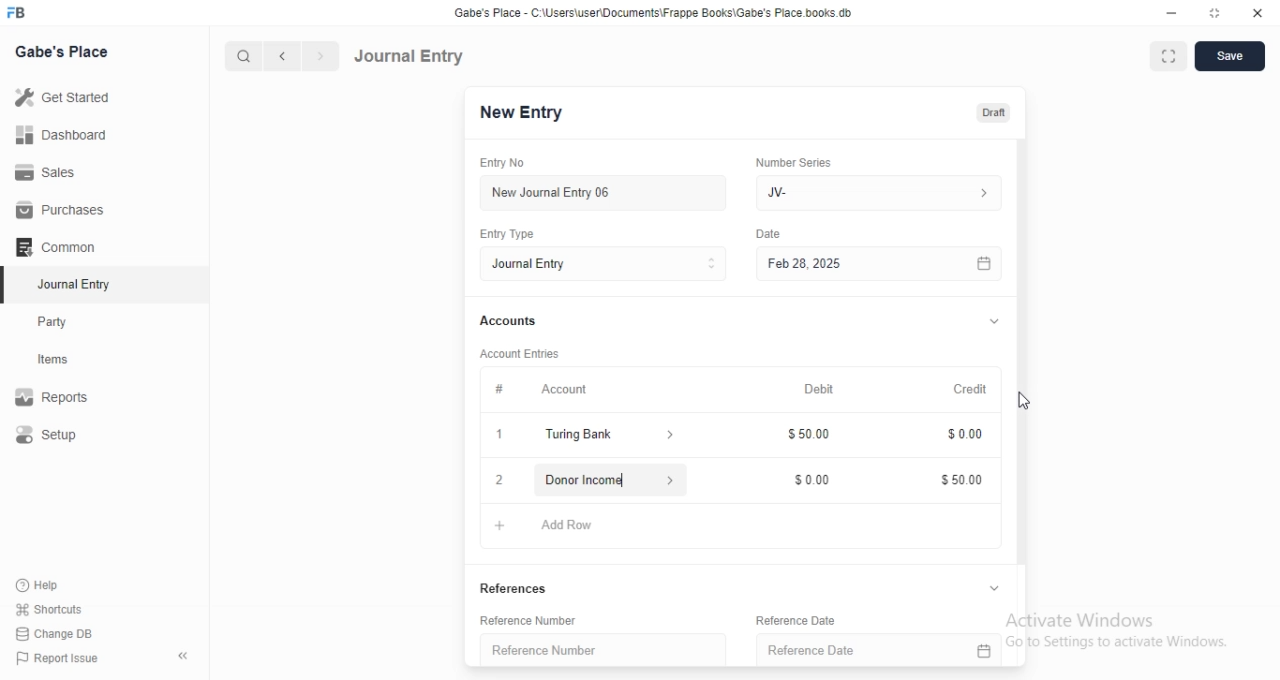  Describe the element at coordinates (606, 436) in the screenshot. I see `turing bank` at that location.